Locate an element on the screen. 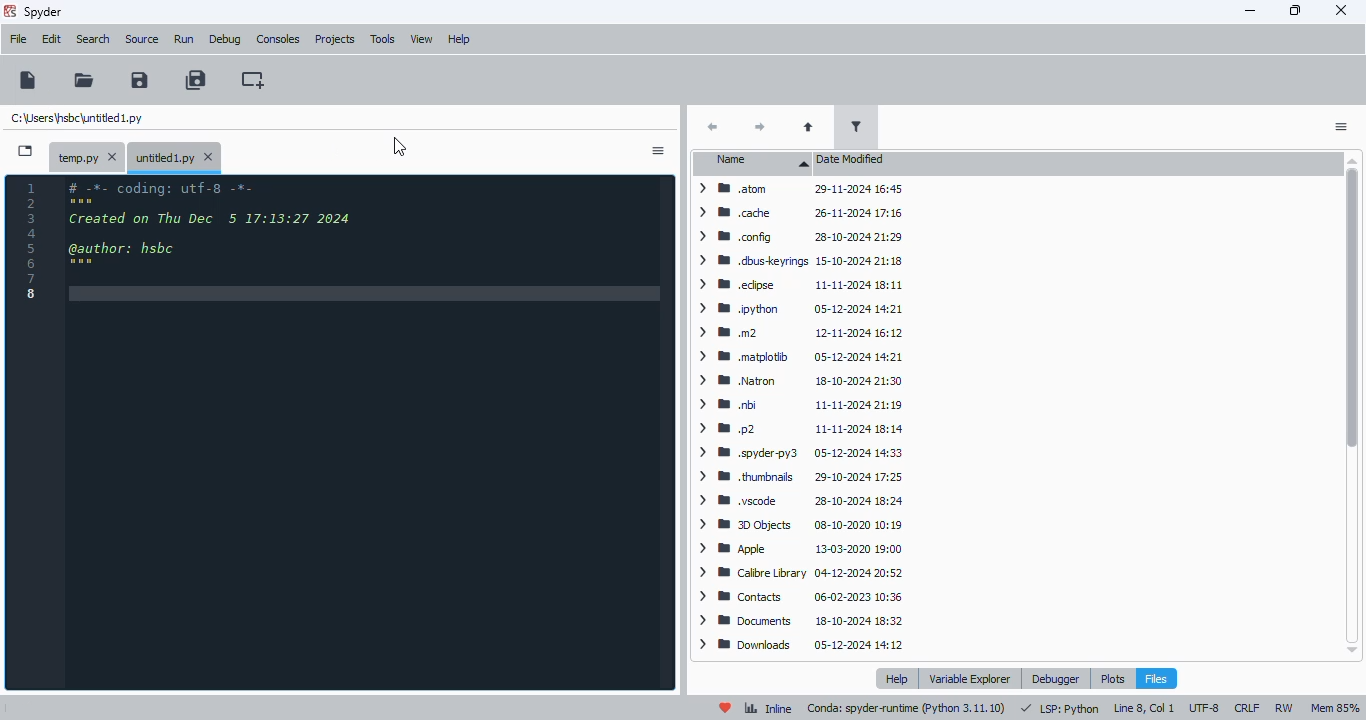 Image resolution: width=1366 pixels, height=720 pixels. save all files is located at coordinates (196, 79).